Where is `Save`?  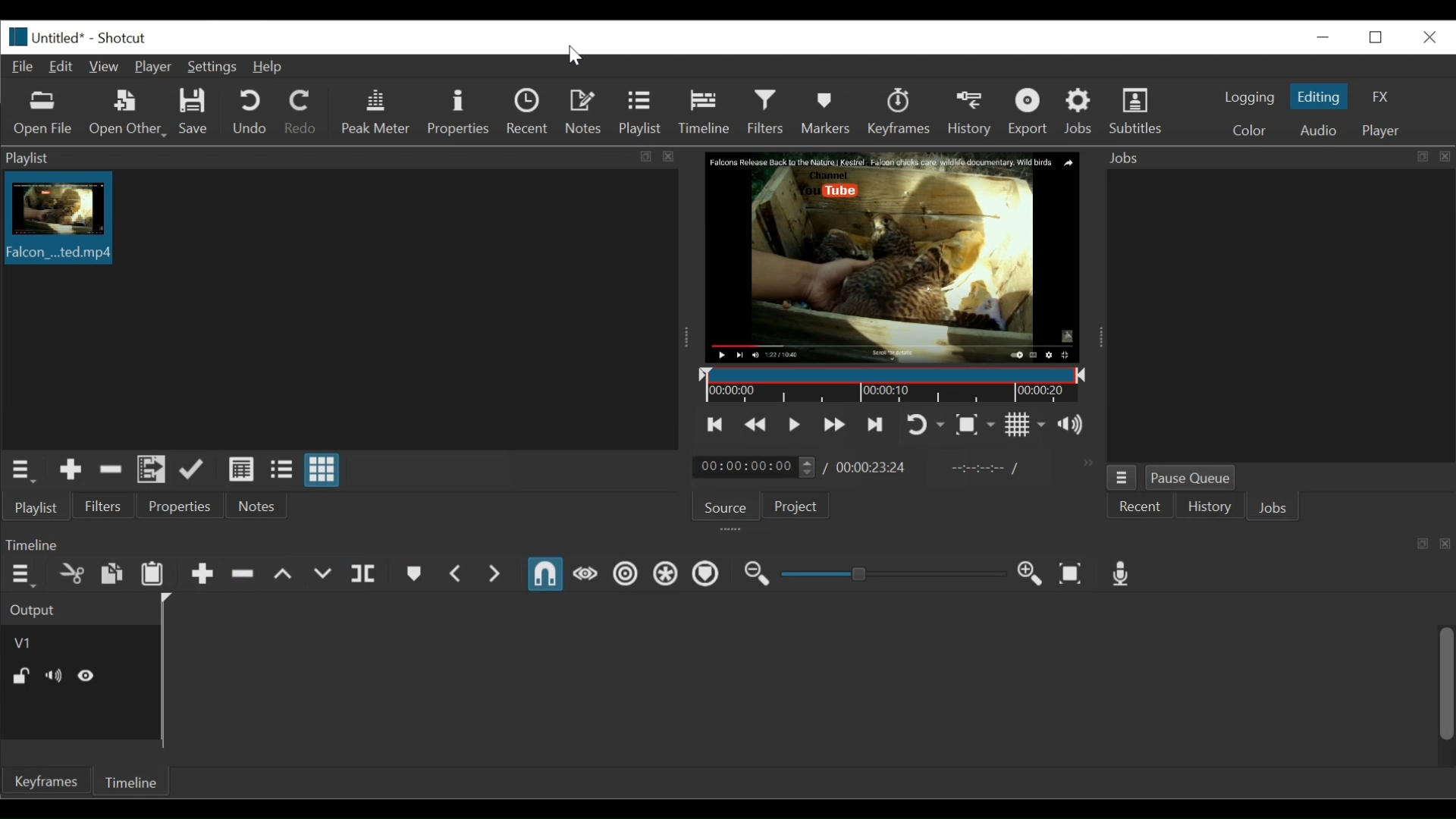
Save is located at coordinates (194, 112).